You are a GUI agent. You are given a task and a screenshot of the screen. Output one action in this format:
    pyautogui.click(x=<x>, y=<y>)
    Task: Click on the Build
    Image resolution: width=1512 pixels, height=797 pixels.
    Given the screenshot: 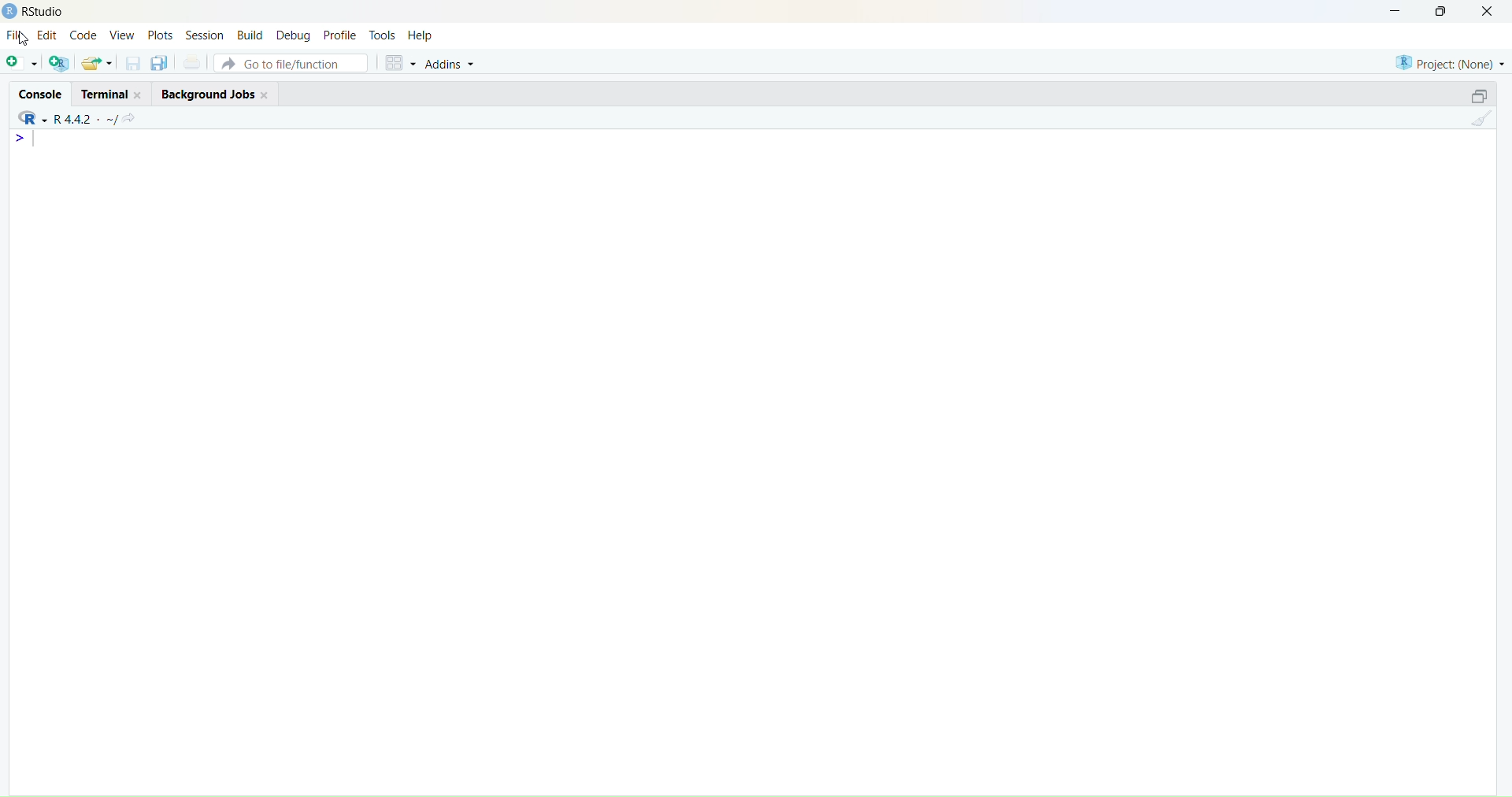 What is the action you would take?
    pyautogui.click(x=250, y=35)
    